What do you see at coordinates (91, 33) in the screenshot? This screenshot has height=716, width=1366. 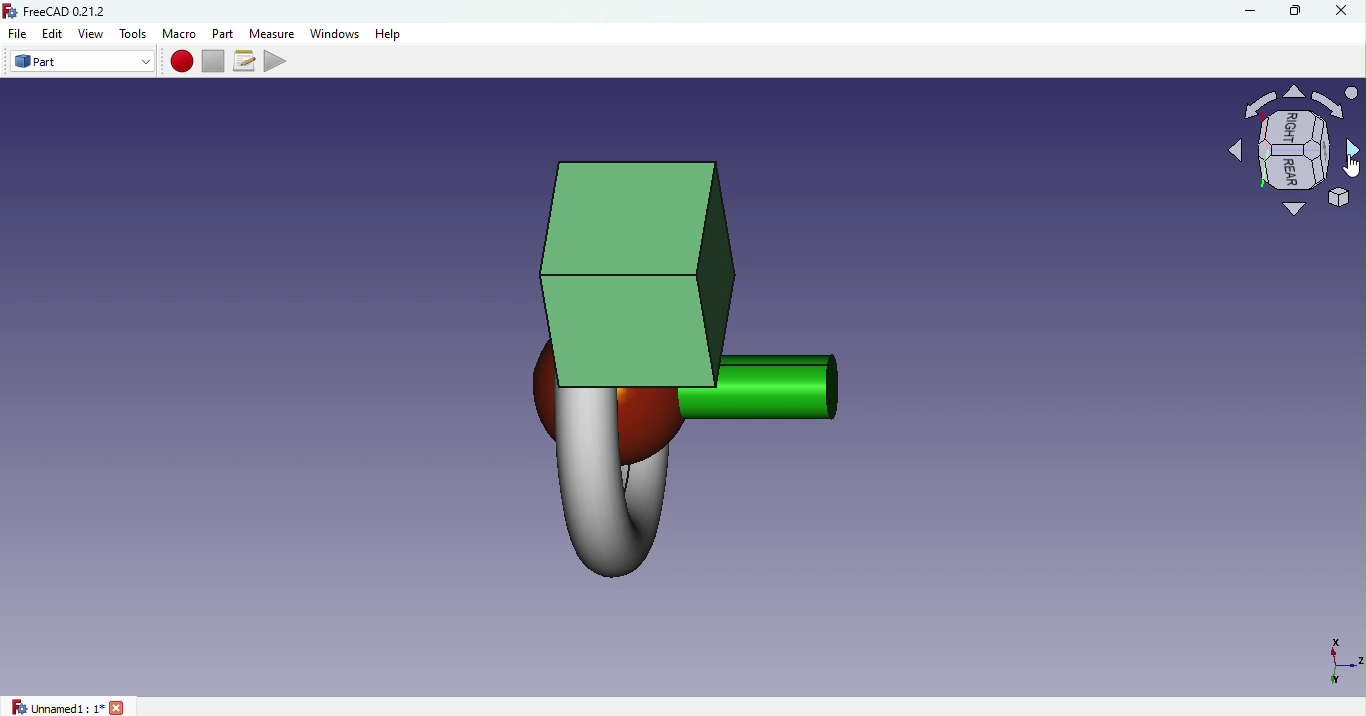 I see `View` at bounding box center [91, 33].